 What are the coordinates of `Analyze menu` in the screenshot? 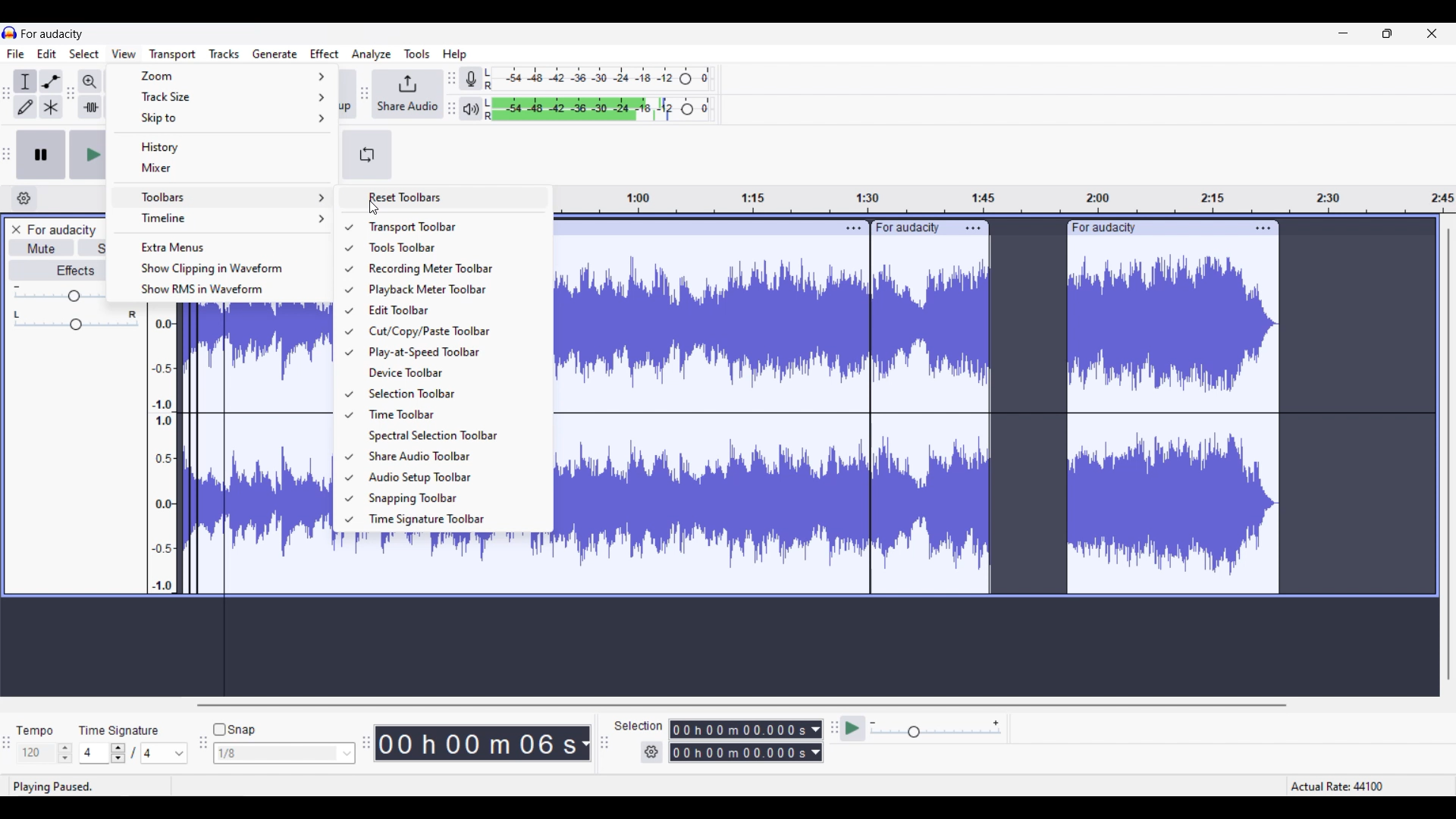 It's located at (372, 55).